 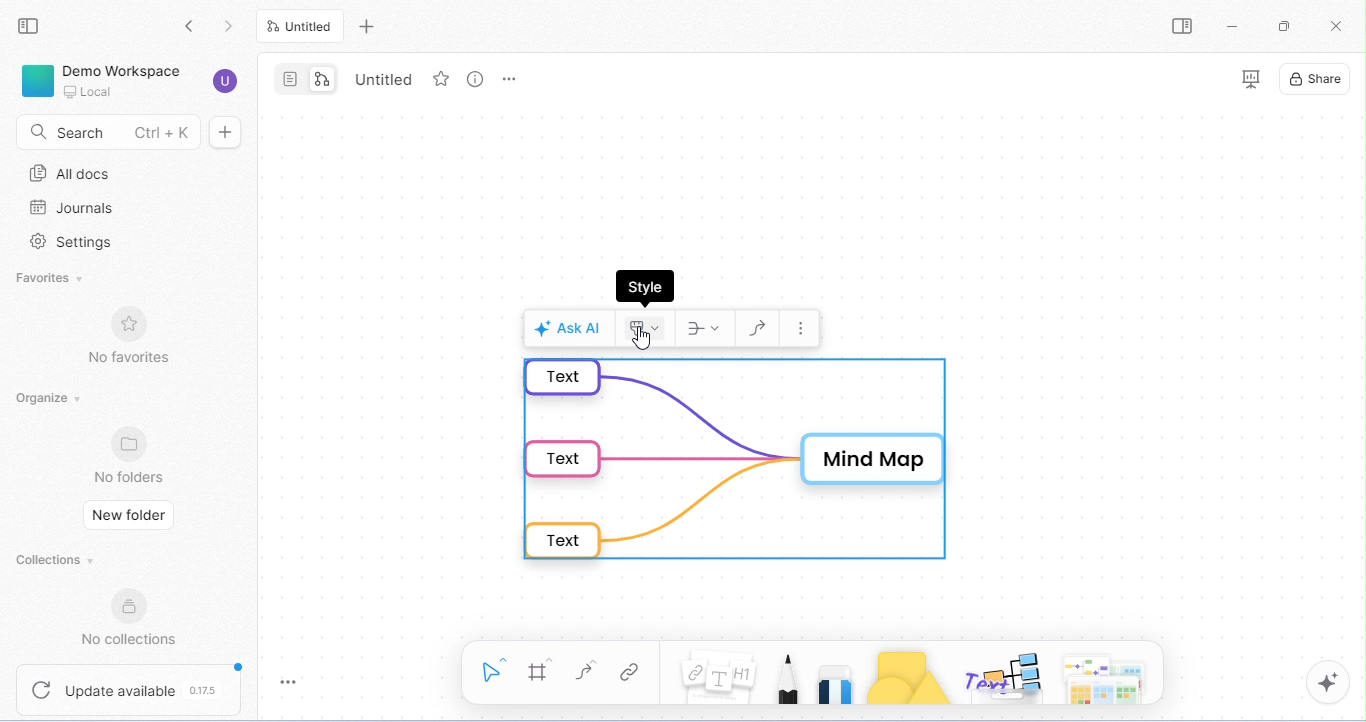 I want to click on pencil, so click(x=787, y=676).